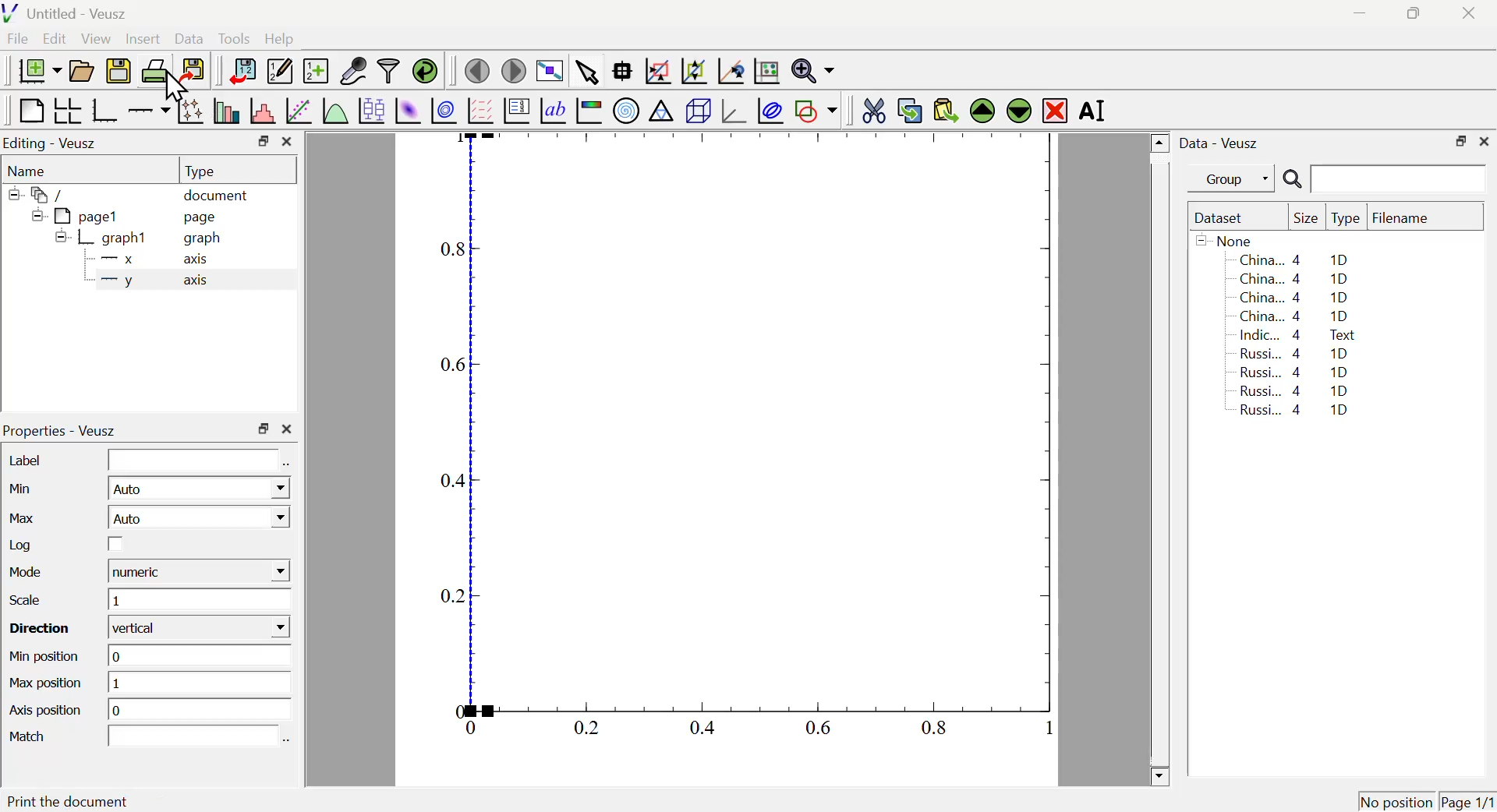 Image resolution: width=1497 pixels, height=812 pixels. I want to click on Insert, so click(141, 40).